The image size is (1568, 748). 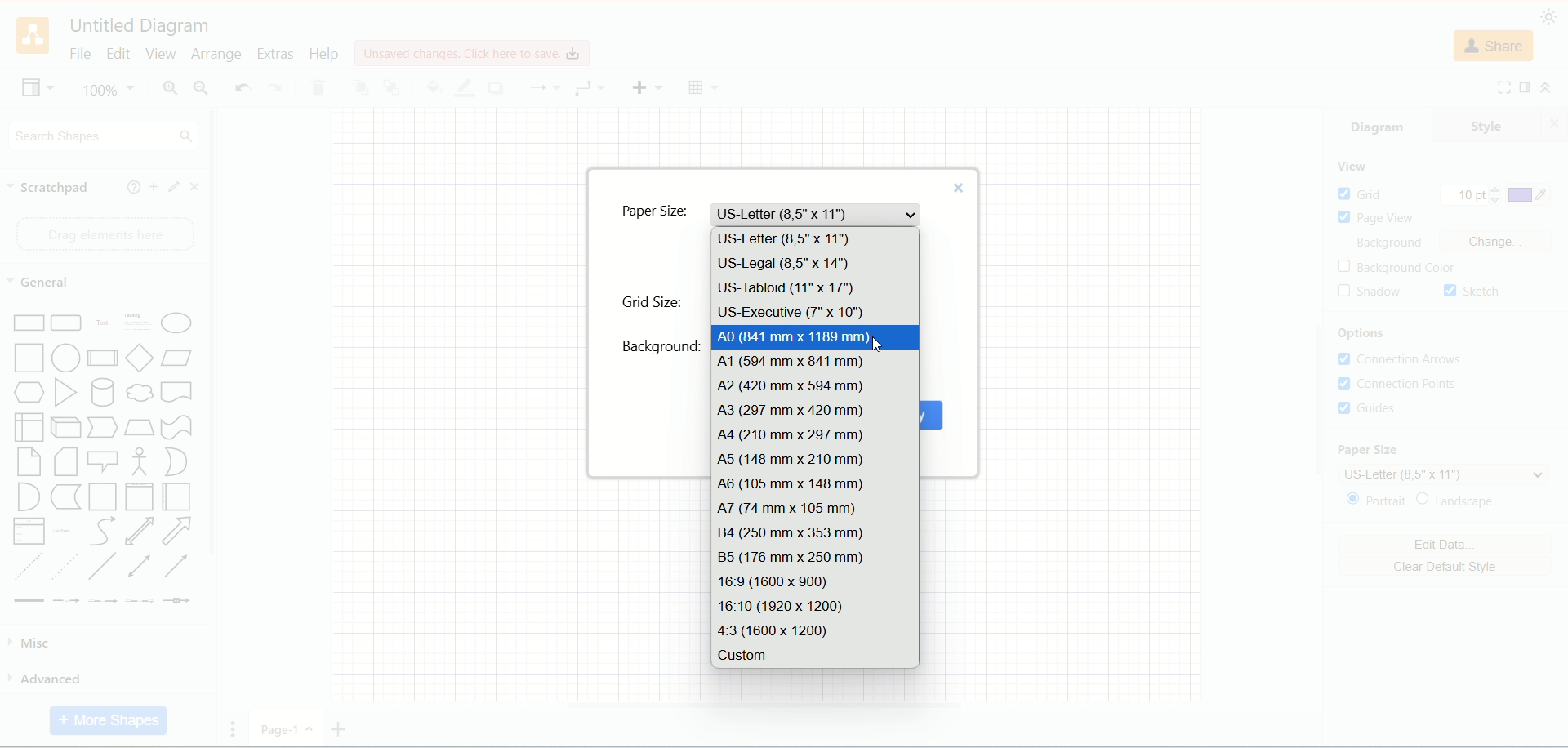 I want to click on Triangle, so click(x=67, y=394).